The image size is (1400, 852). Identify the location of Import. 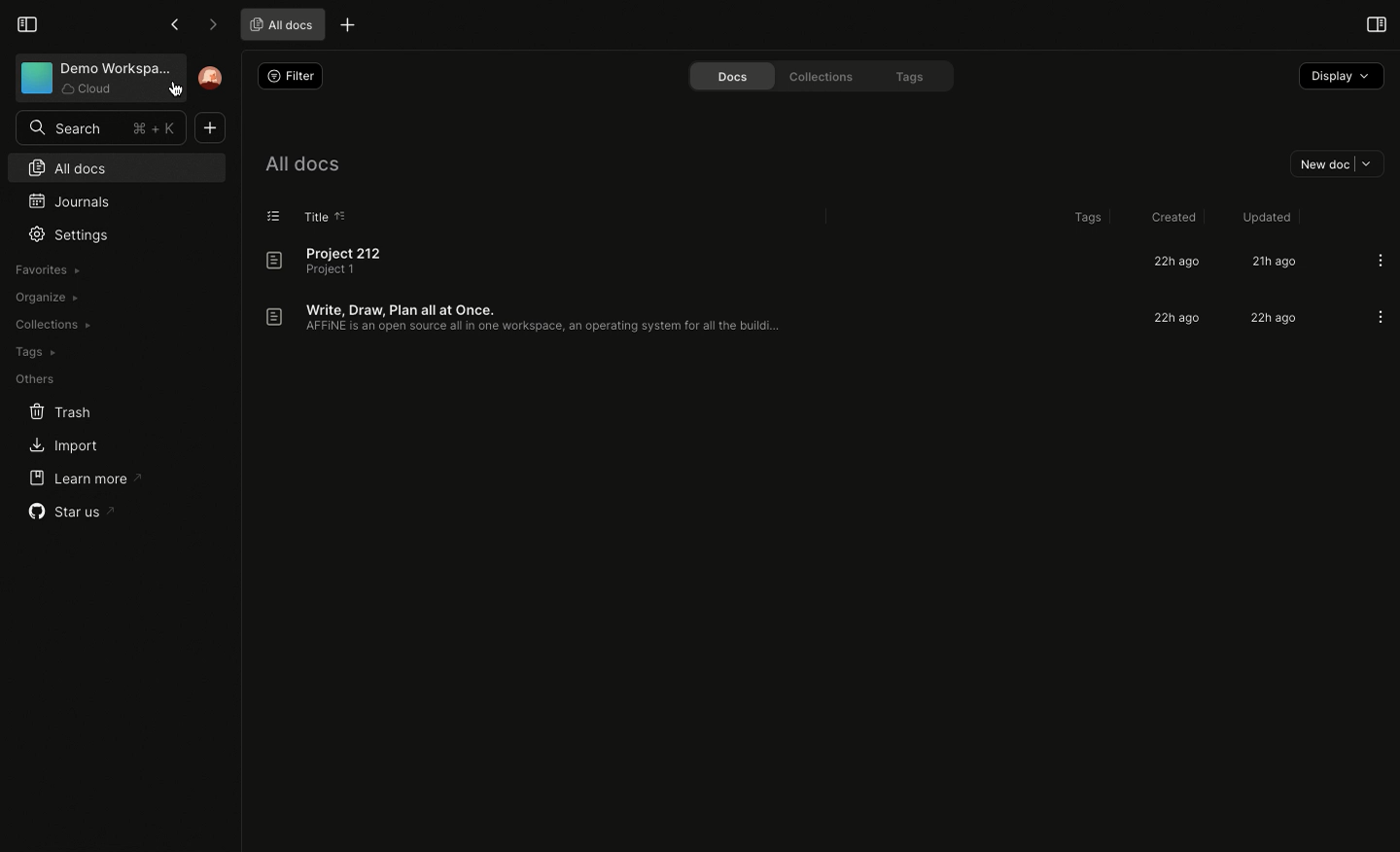
(61, 447).